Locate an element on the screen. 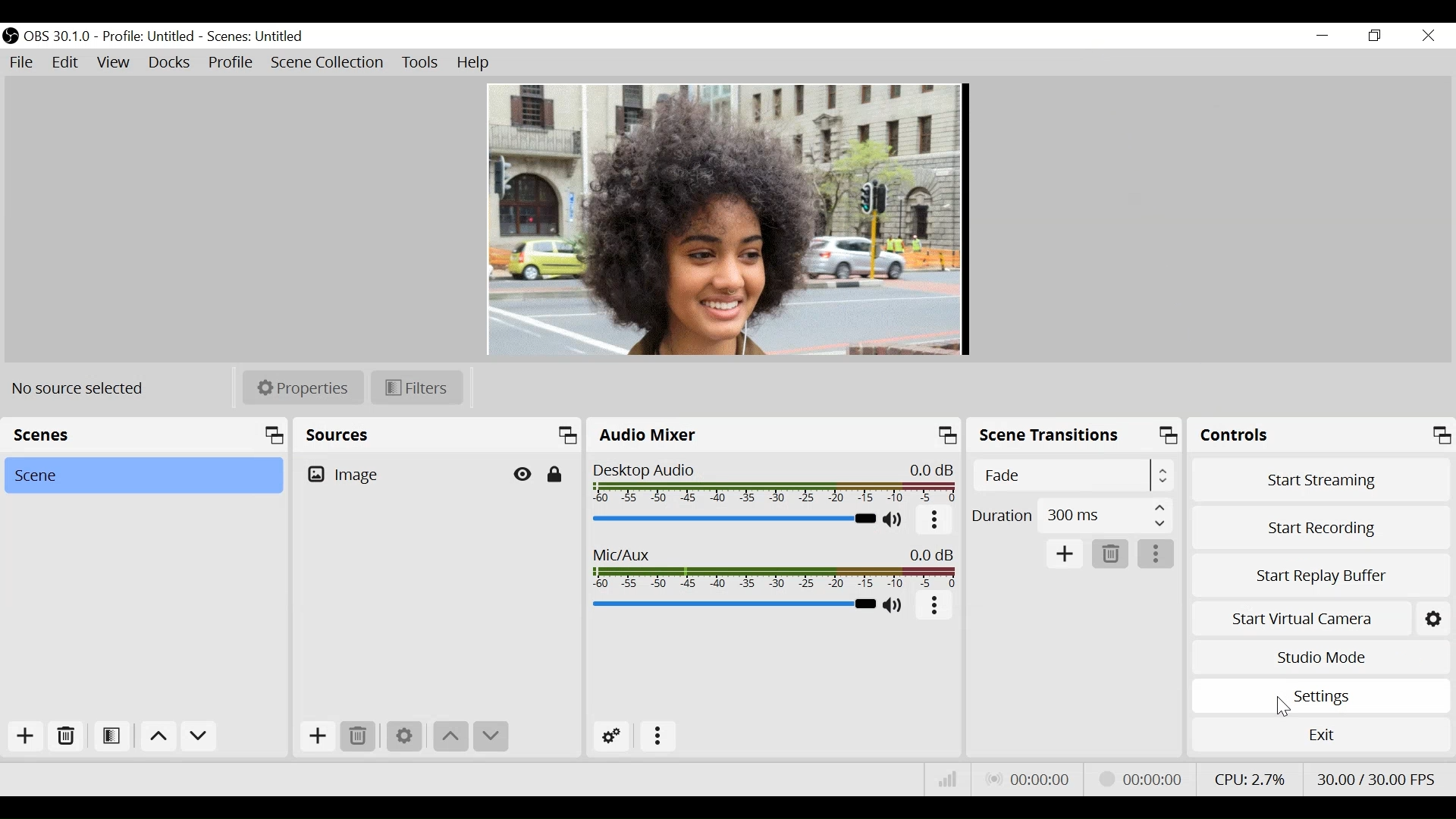  Profile: Untitled - Scenes: Untitled is located at coordinates (208, 37).